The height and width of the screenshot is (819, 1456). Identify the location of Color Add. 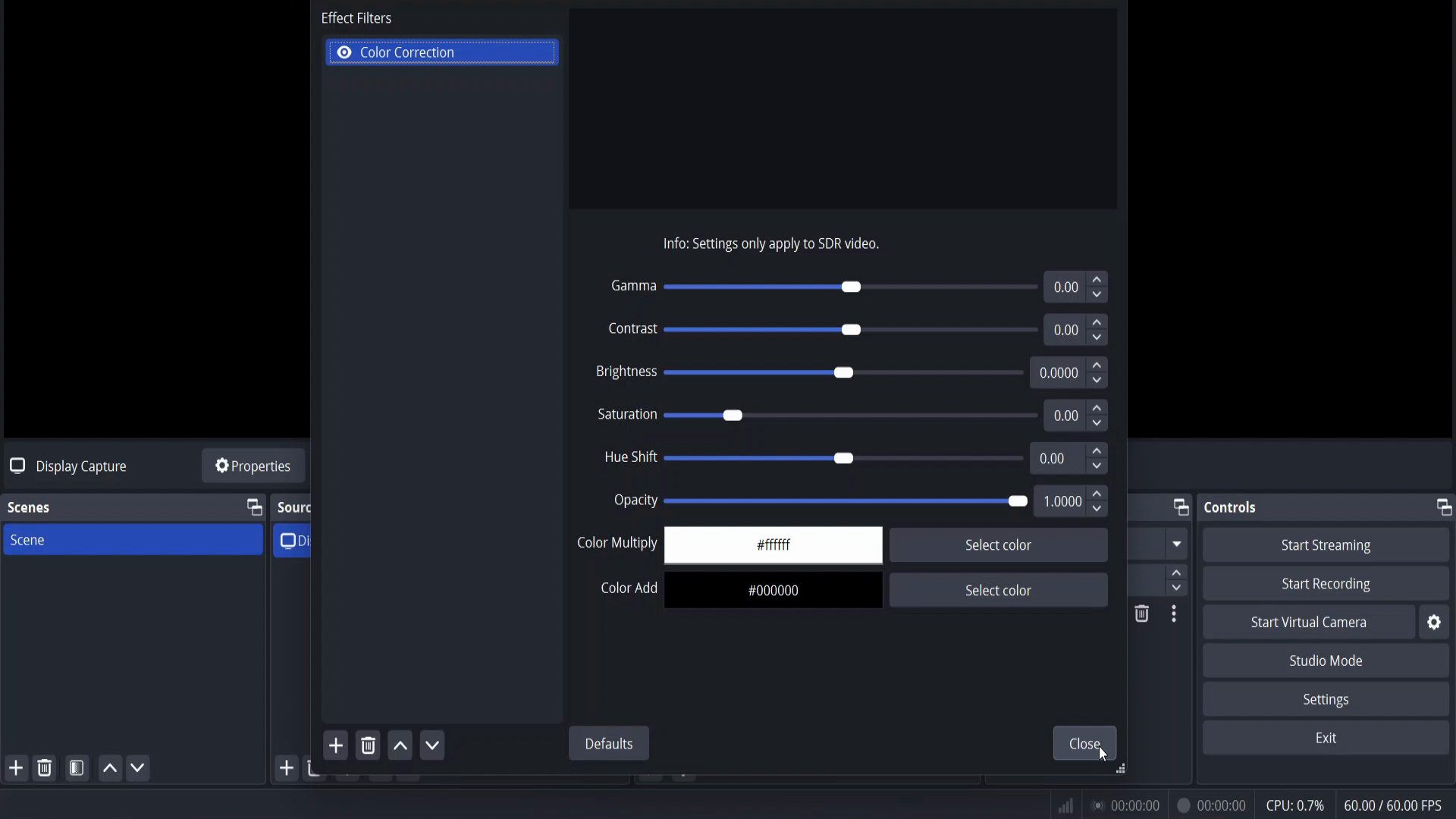
(621, 587).